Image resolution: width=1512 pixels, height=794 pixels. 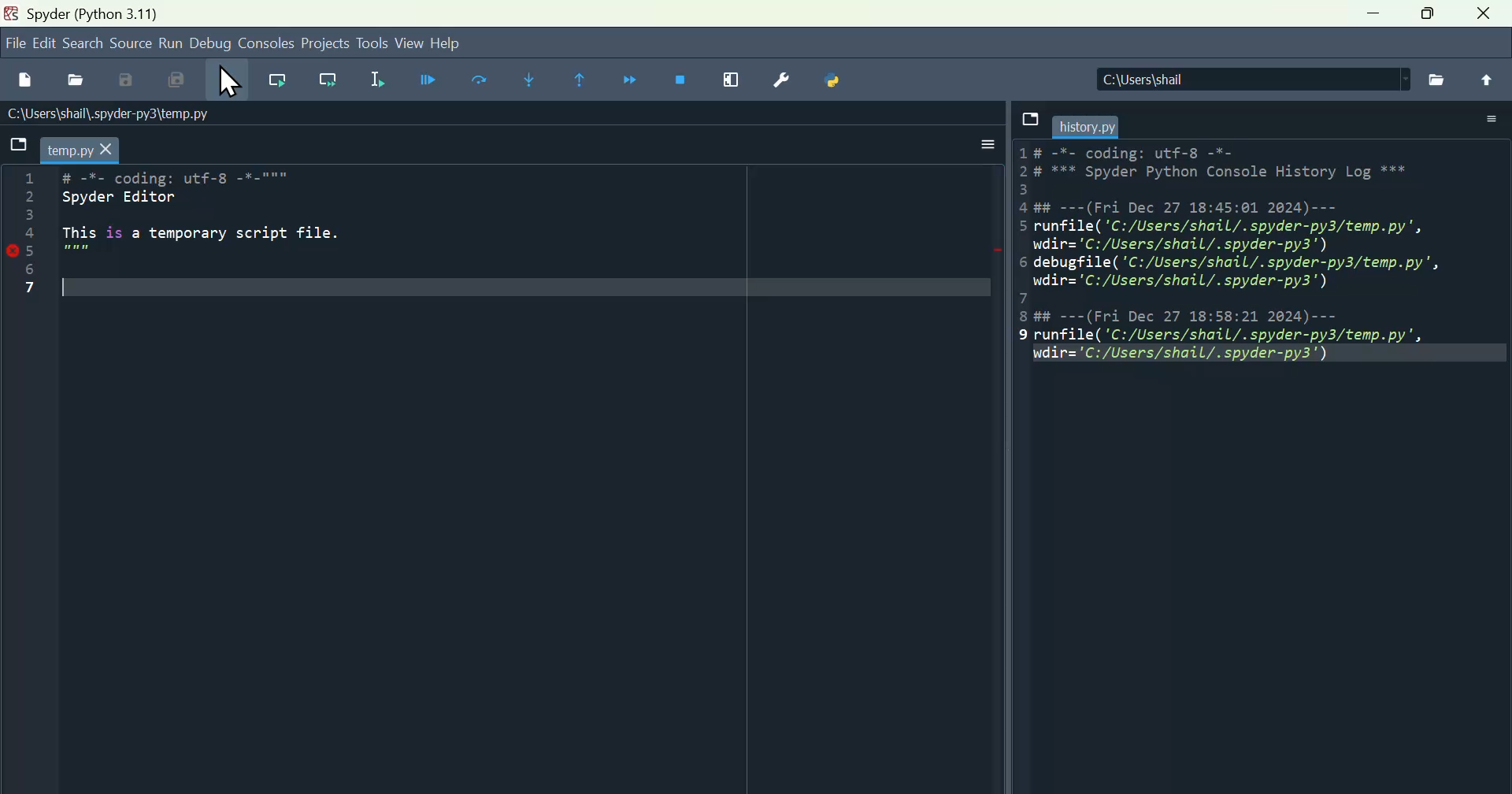 What do you see at coordinates (1089, 123) in the screenshot?
I see `filename` at bounding box center [1089, 123].